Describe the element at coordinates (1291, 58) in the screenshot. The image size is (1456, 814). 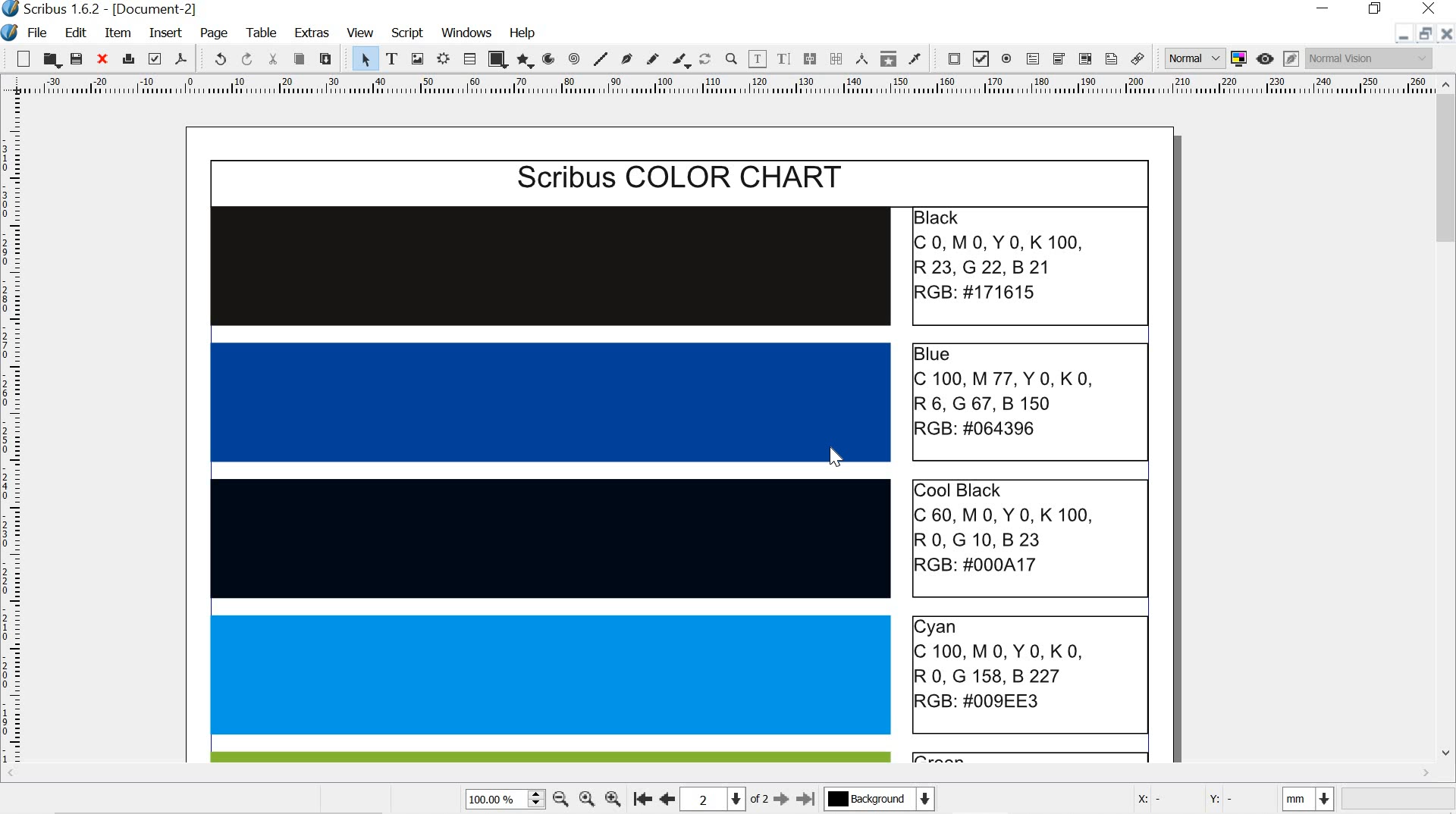
I see `edit in preview mode` at that location.